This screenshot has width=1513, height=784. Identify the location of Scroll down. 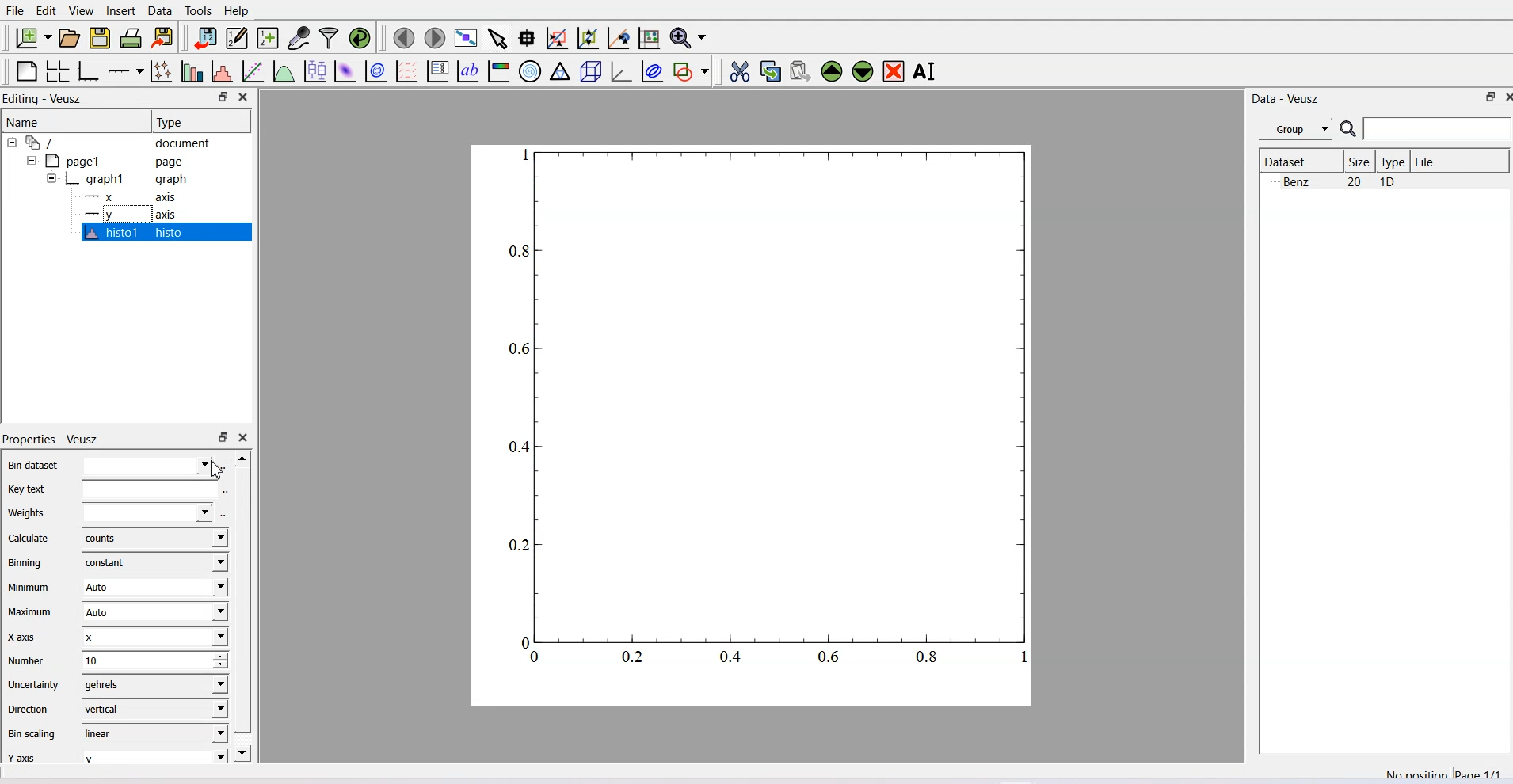
(244, 752).